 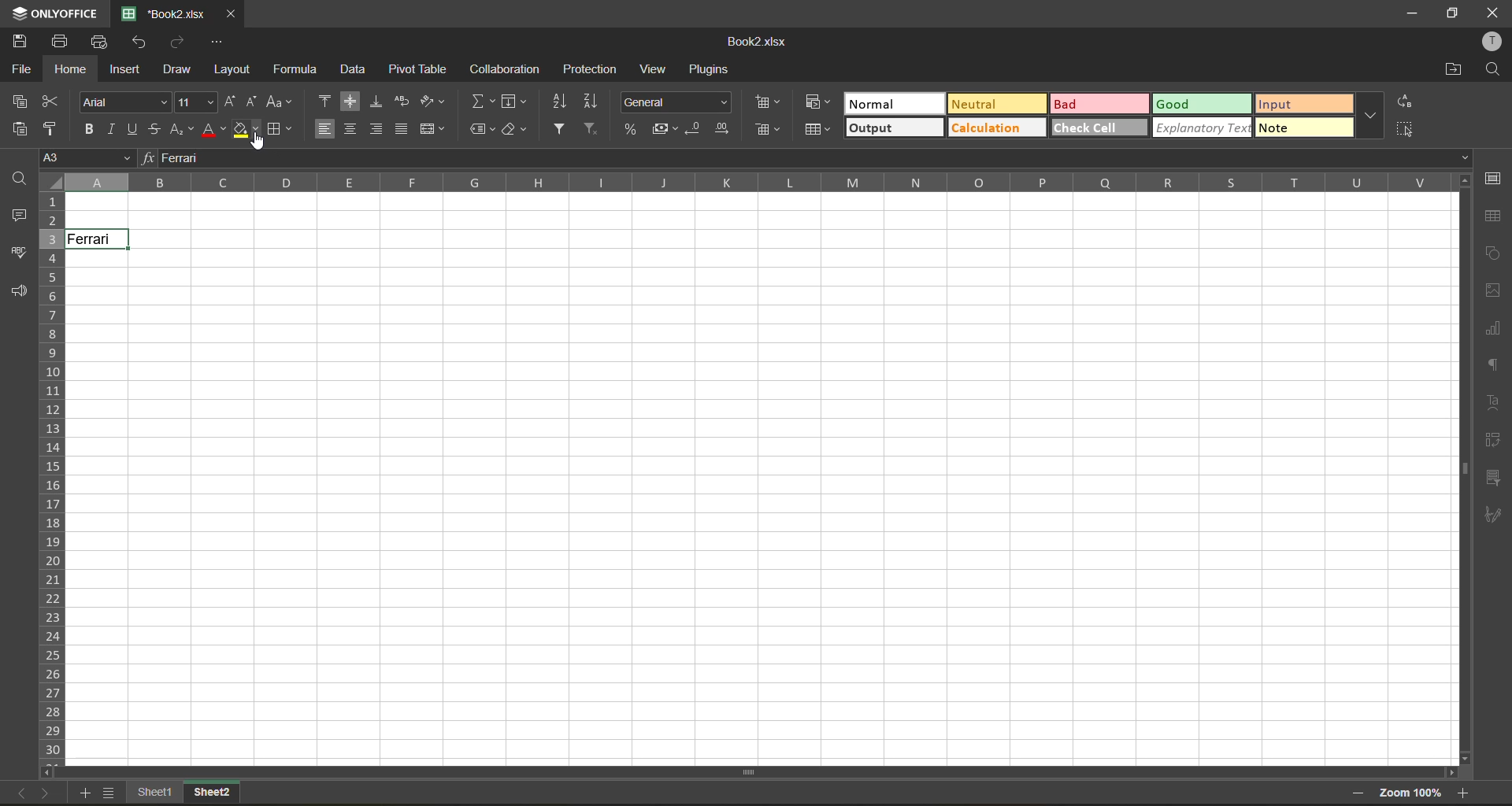 I want to click on font size, so click(x=195, y=103).